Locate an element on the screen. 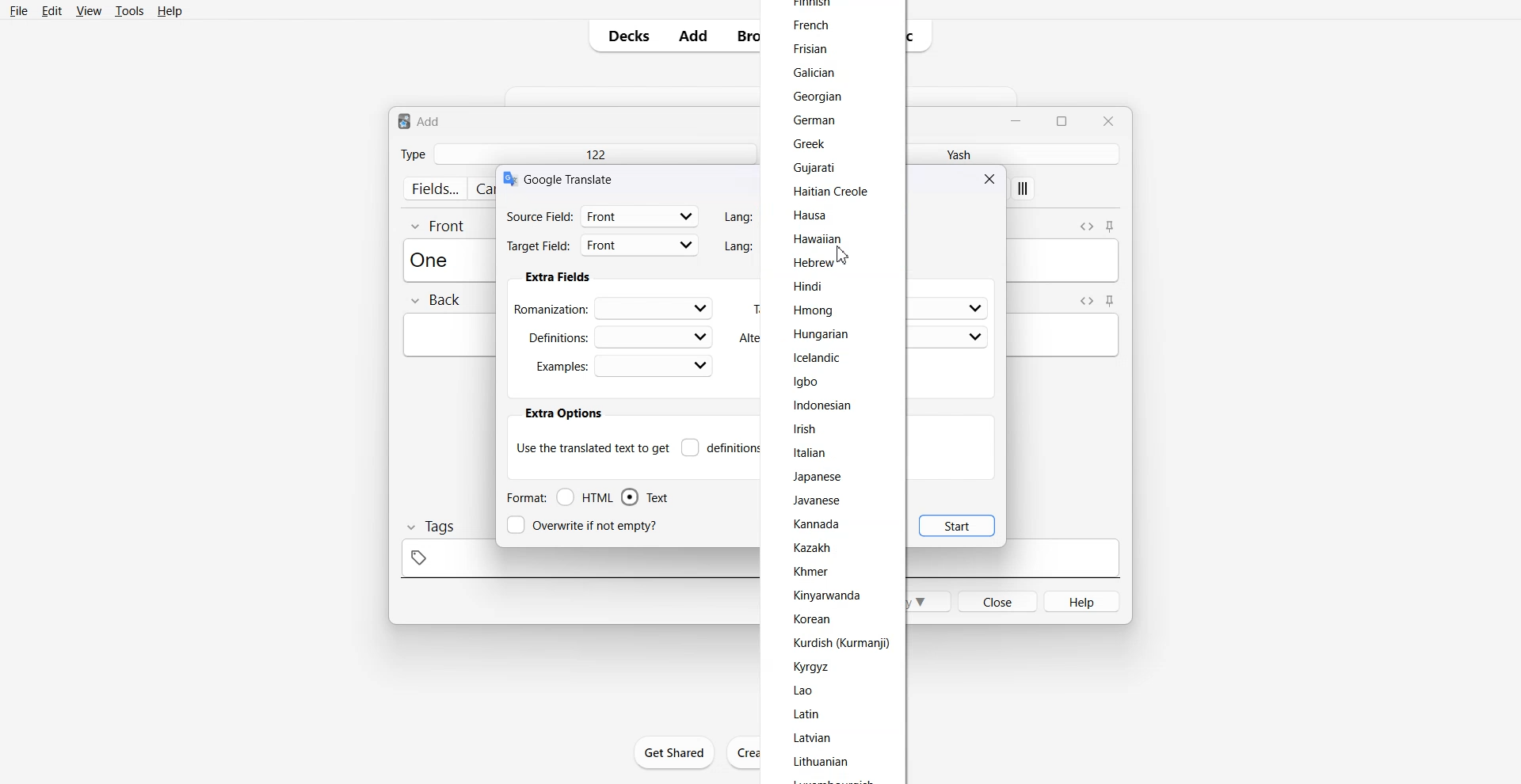  Tags is located at coordinates (429, 527).